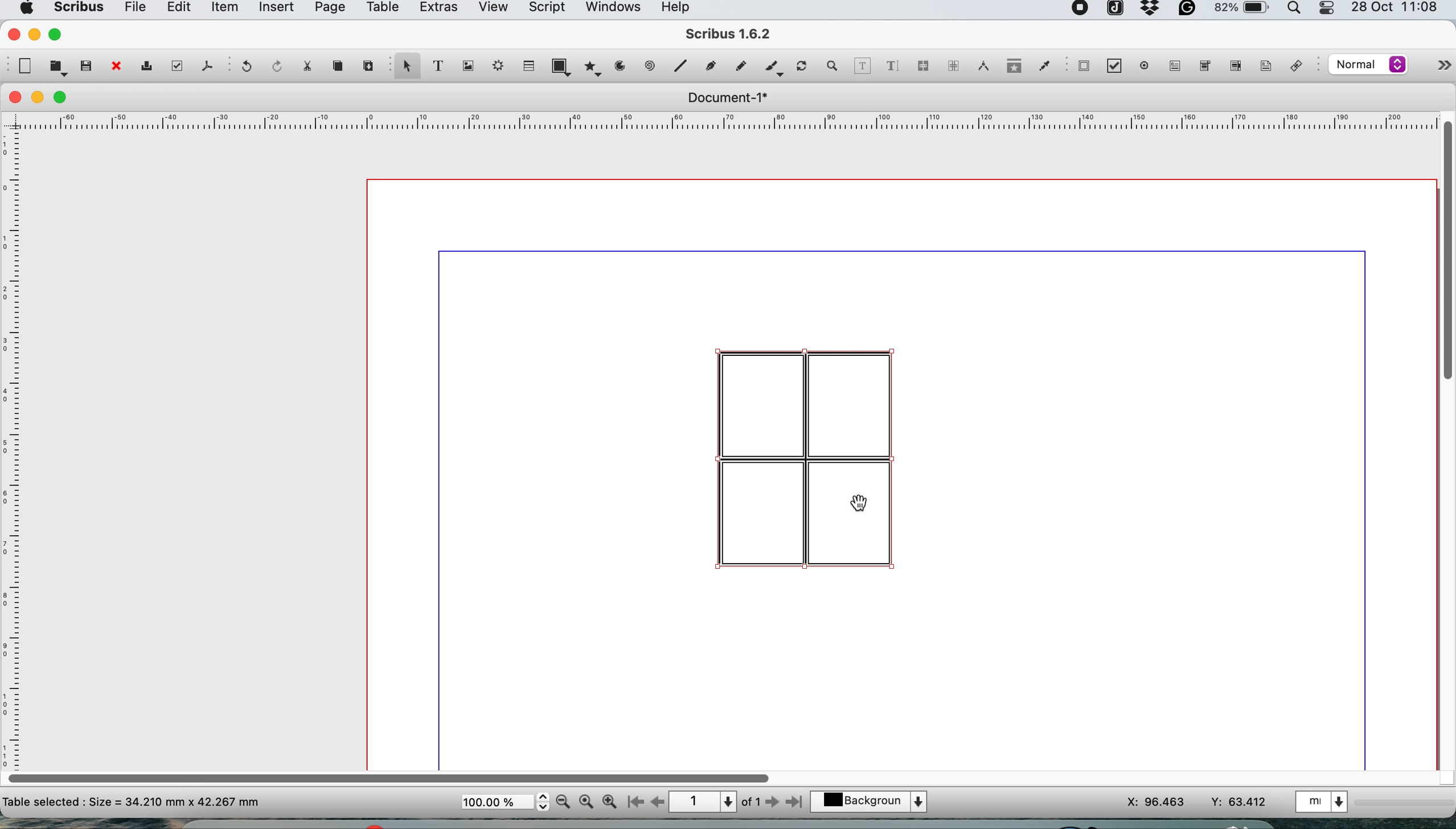  I want to click on line, so click(679, 65).